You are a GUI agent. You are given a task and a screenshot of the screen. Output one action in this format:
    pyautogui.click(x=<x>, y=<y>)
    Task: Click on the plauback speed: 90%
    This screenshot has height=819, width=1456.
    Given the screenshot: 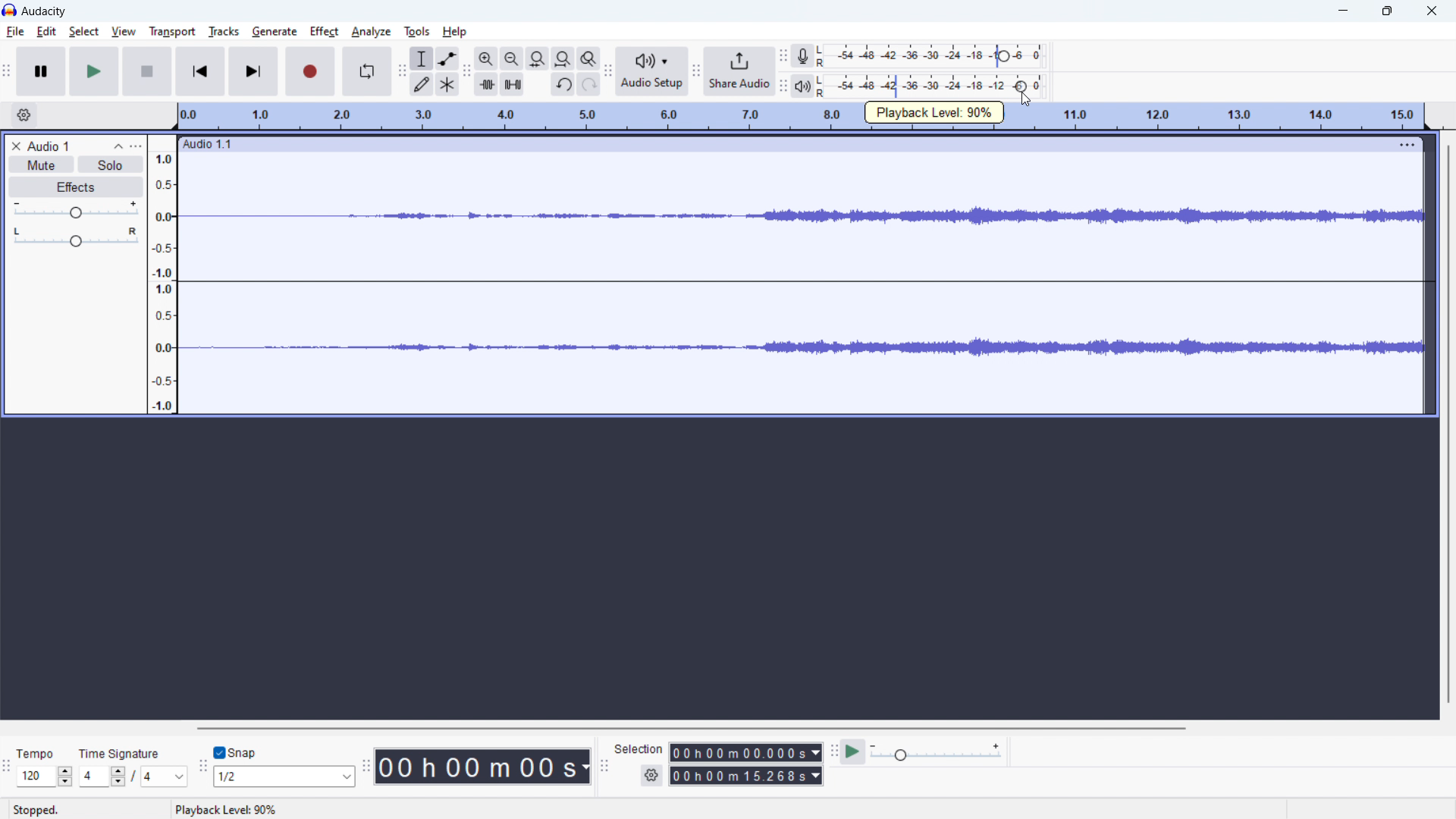 What is the action you would take?
    pyautogui.click(x=935, y=112)
    